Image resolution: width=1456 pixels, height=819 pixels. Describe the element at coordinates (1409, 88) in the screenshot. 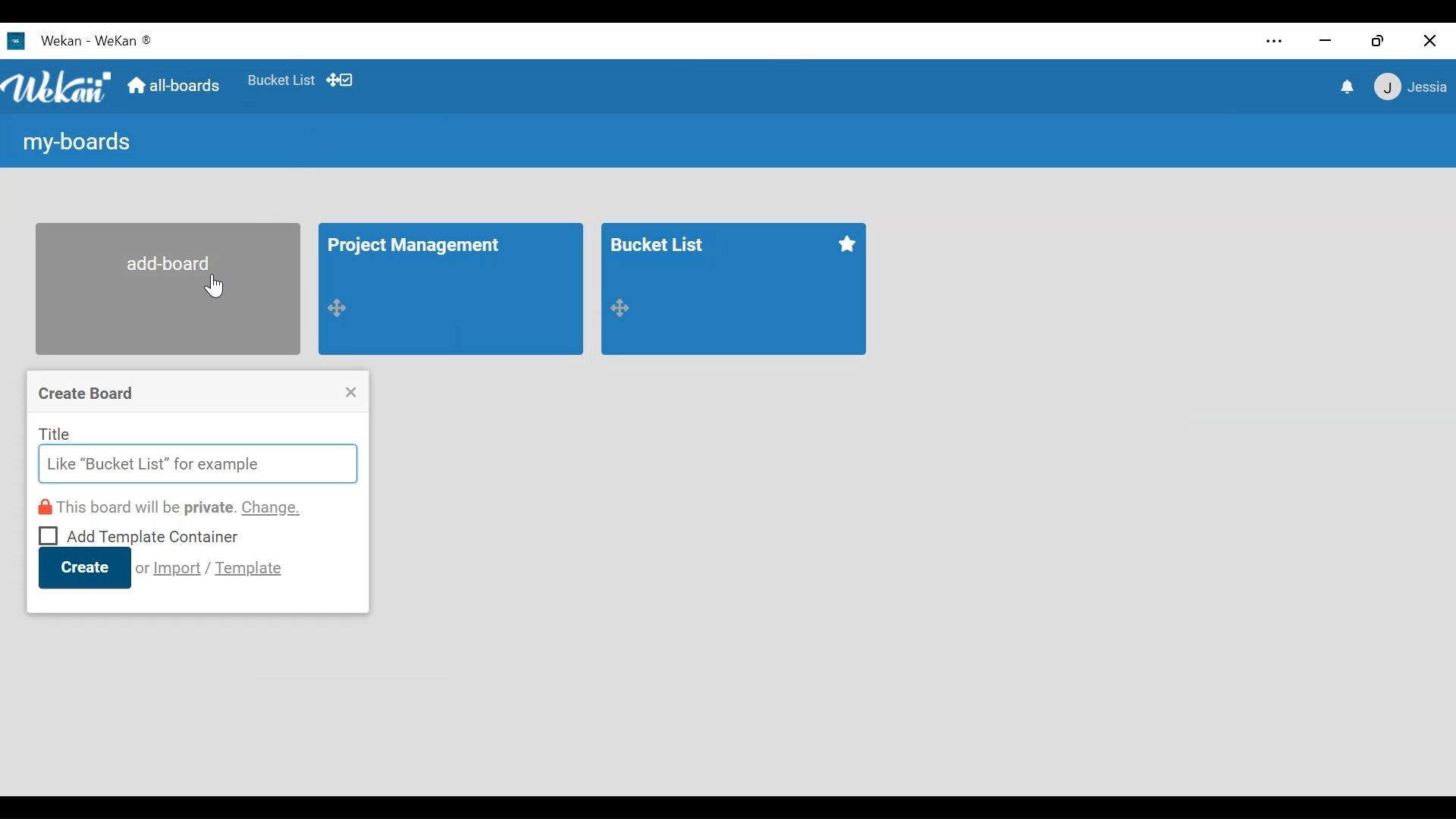

I see `User Member` at that location.